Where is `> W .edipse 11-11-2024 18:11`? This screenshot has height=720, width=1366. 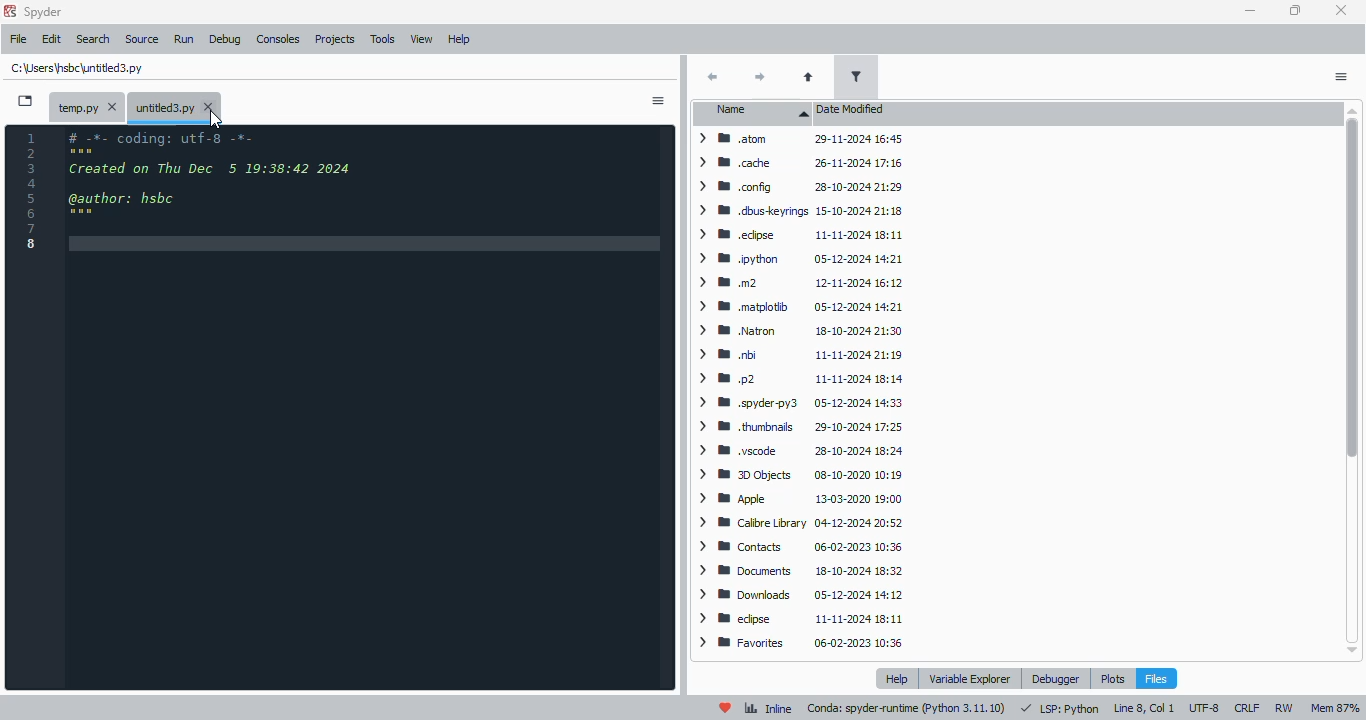
> W .edipse 11-11-2024 18:11 is located at coordinates (796, 233).